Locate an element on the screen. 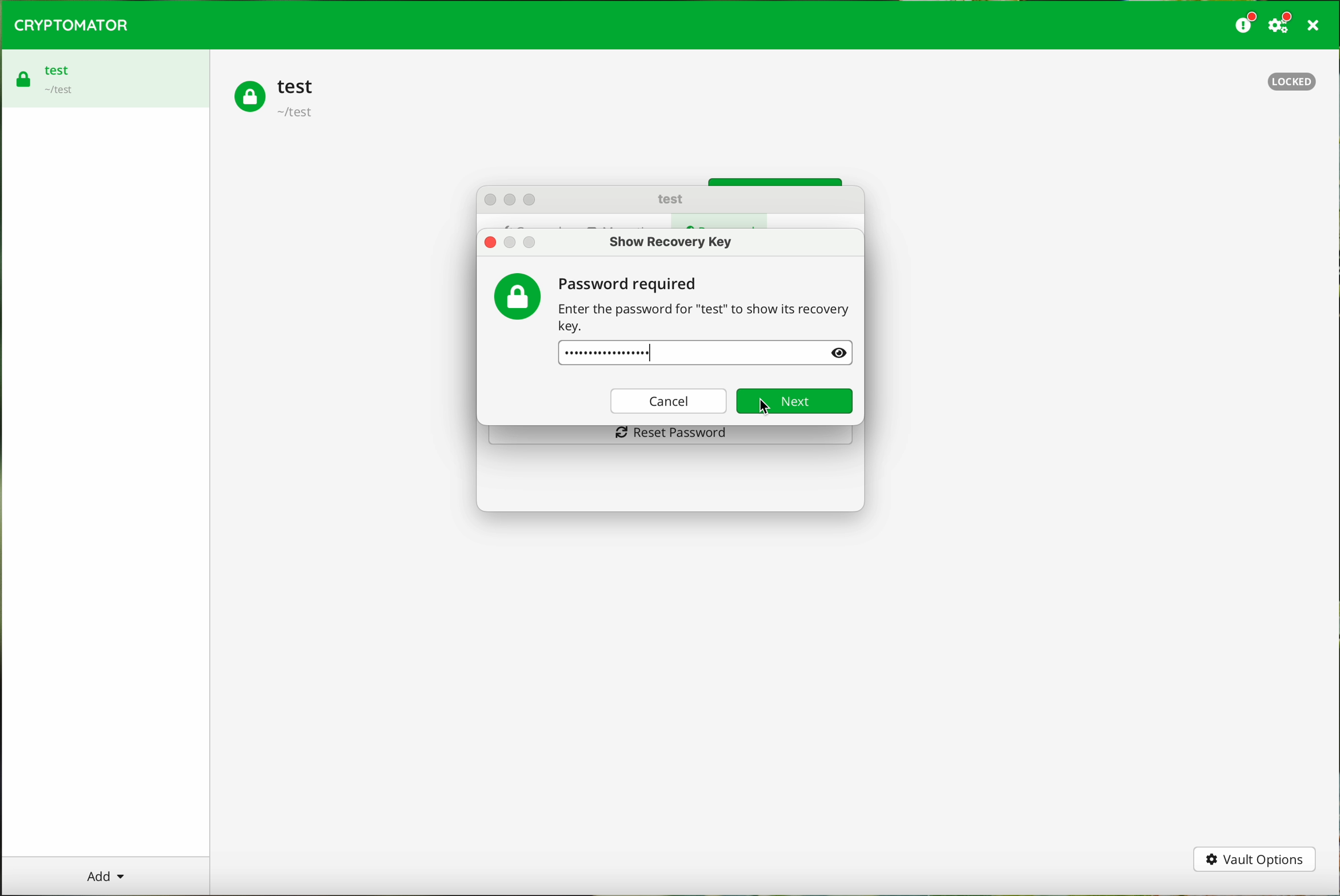 The image size is (1340, 896). close popup is located at coordinates (490, 243).